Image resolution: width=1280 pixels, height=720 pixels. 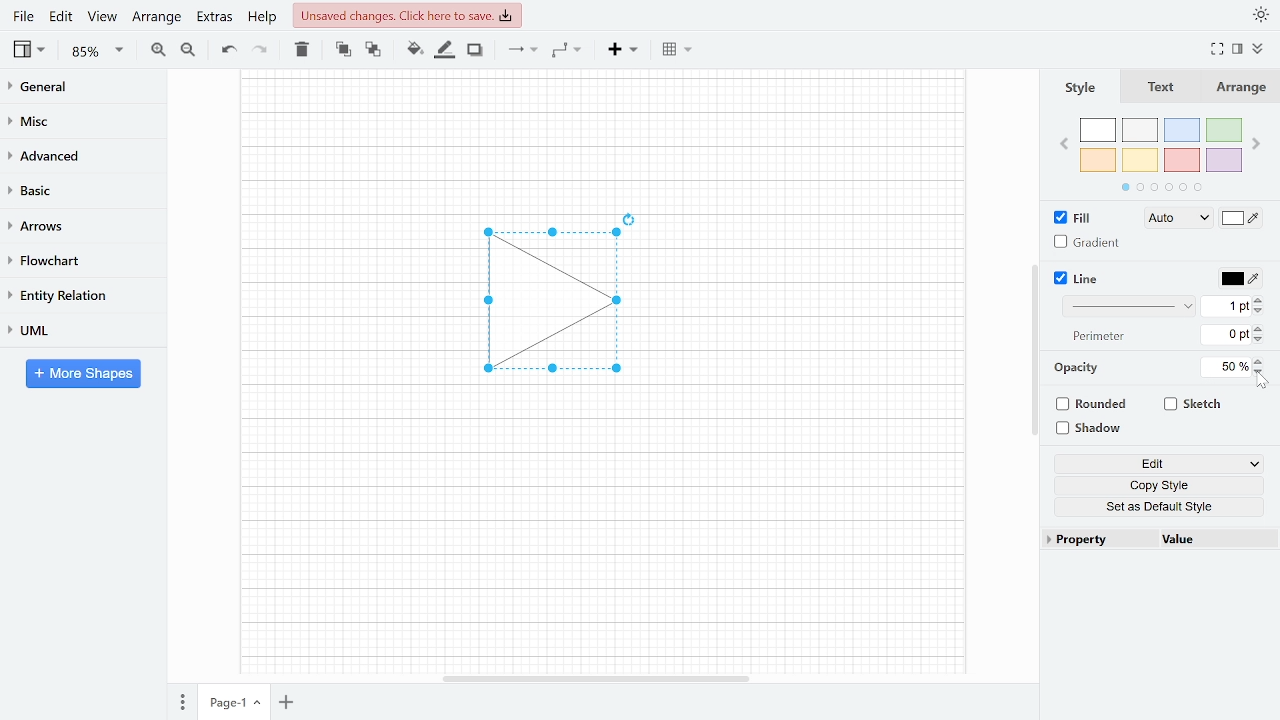 I want to click on Page options, so click(x=260, y=705).